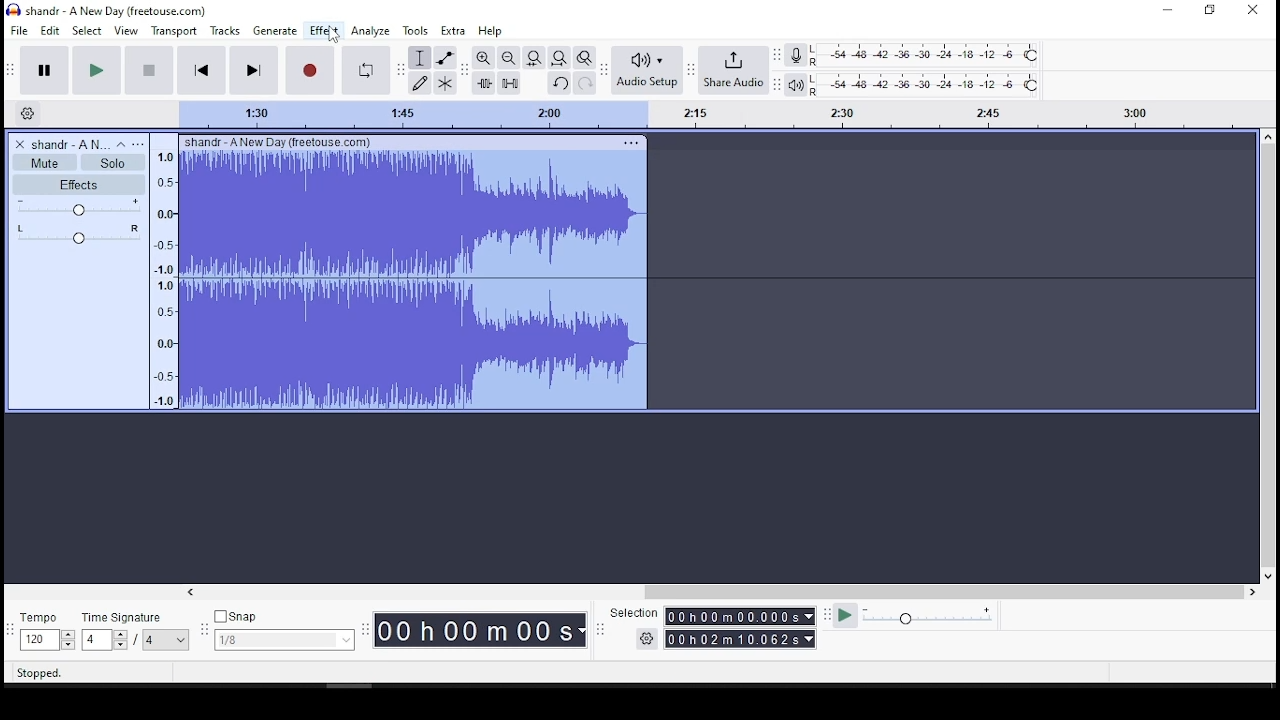 Image resolution: width=1280 pixels, height=720 pixels. What do you see at coordinates (46, 162) in the screenshot?
I see `mute` at bounding box center [46, 162].